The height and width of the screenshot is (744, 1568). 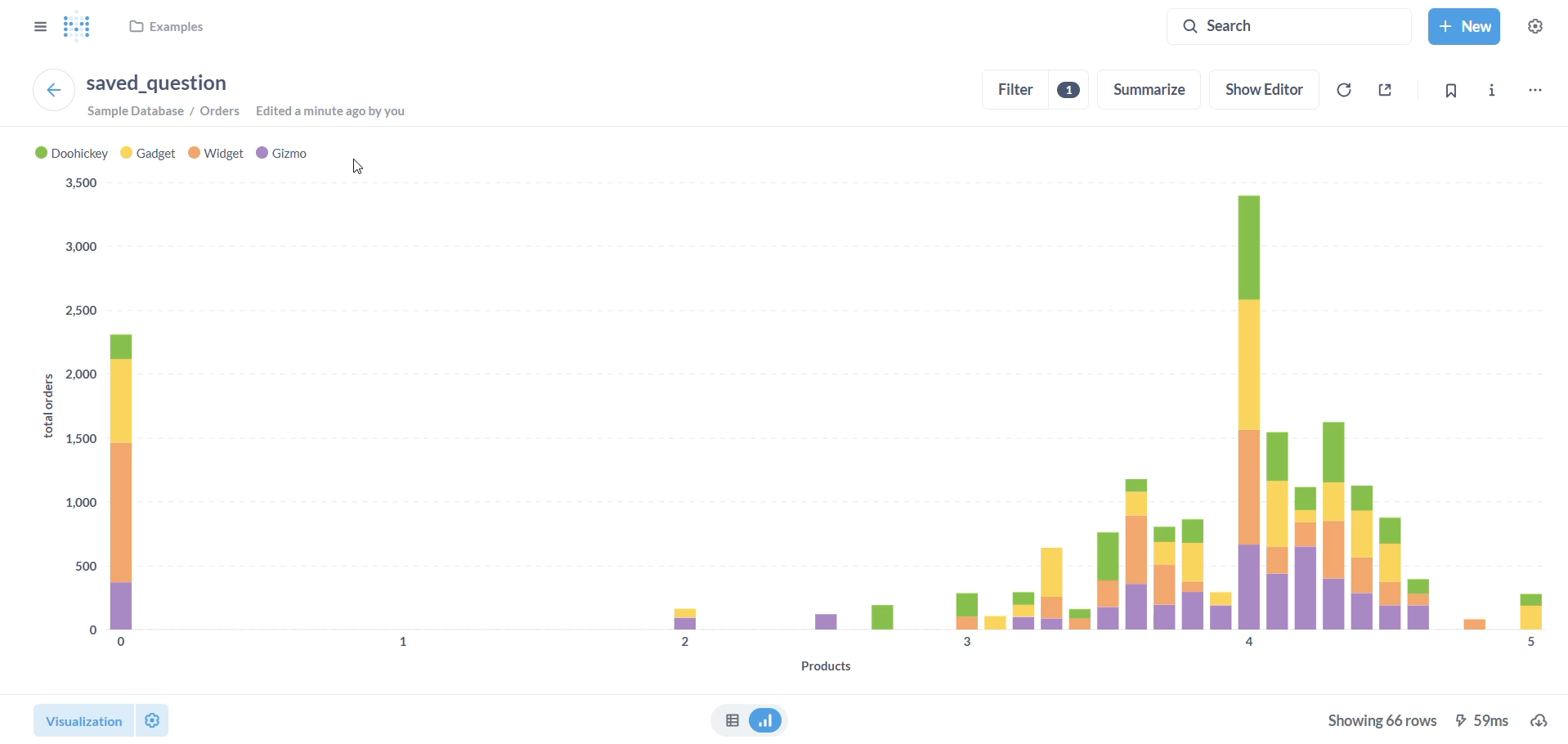 I want to click on TEXT, so click(x=358, y=169).